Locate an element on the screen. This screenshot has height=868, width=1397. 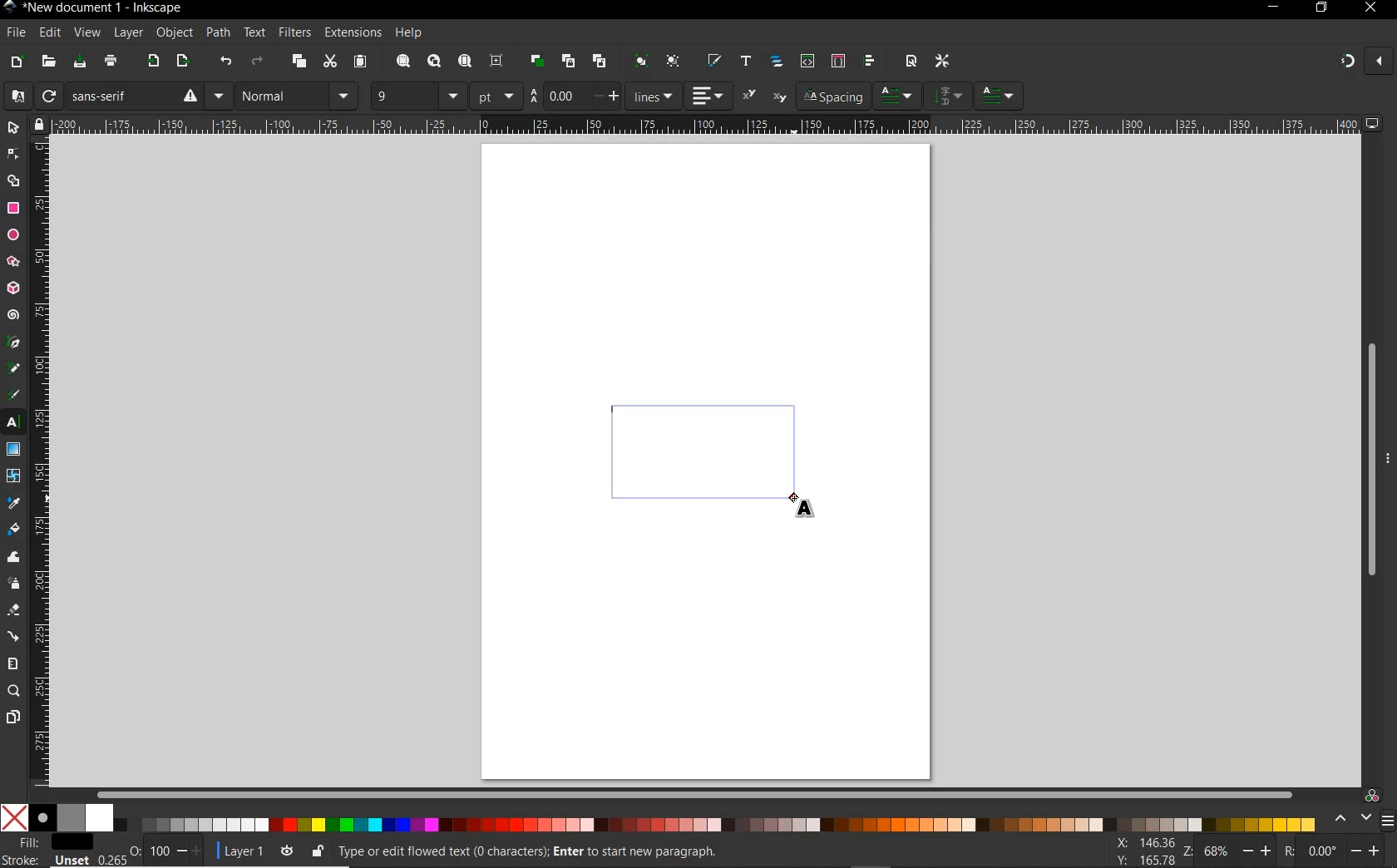
0 is located at coordinates (1322, 851).